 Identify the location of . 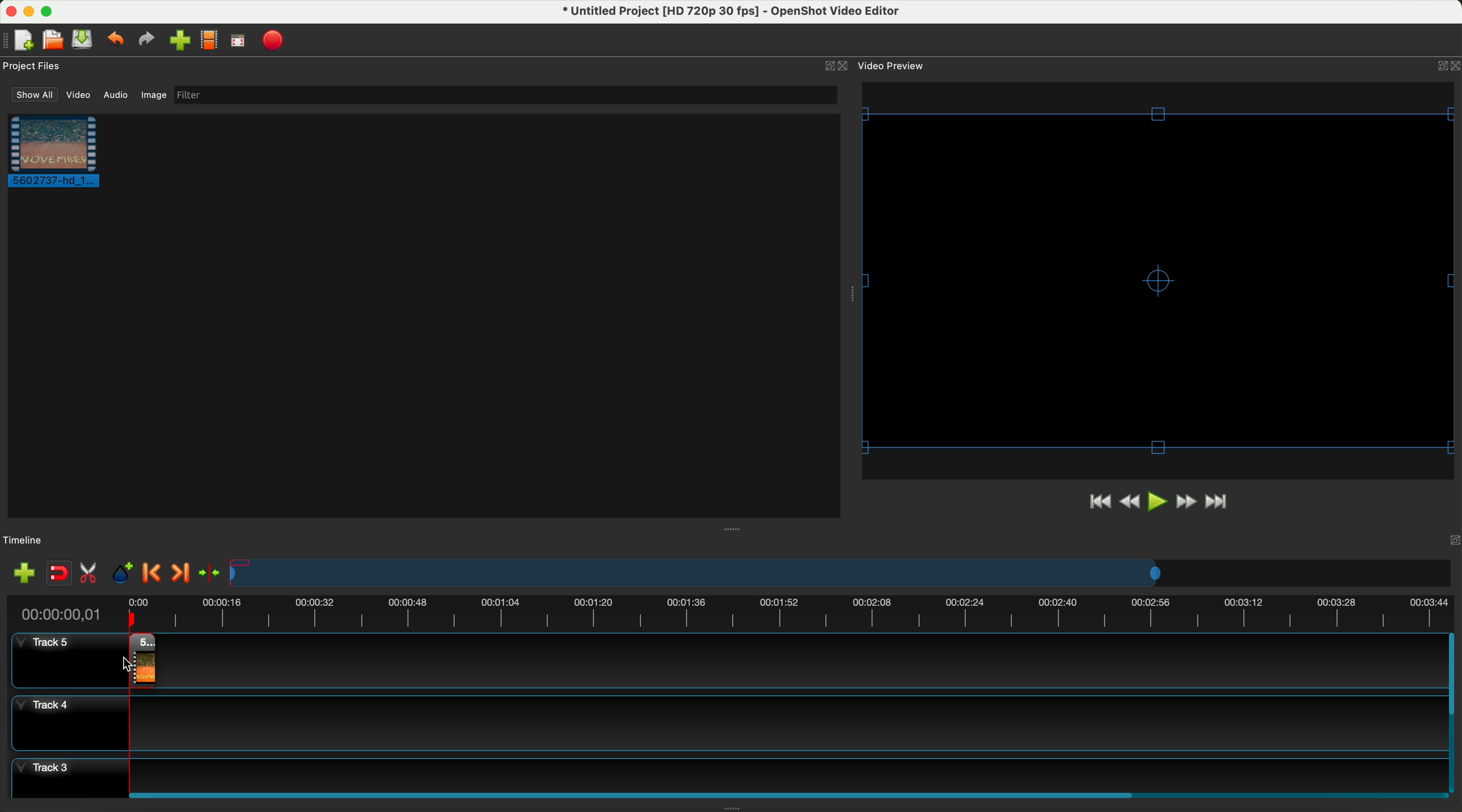
(129, 664).